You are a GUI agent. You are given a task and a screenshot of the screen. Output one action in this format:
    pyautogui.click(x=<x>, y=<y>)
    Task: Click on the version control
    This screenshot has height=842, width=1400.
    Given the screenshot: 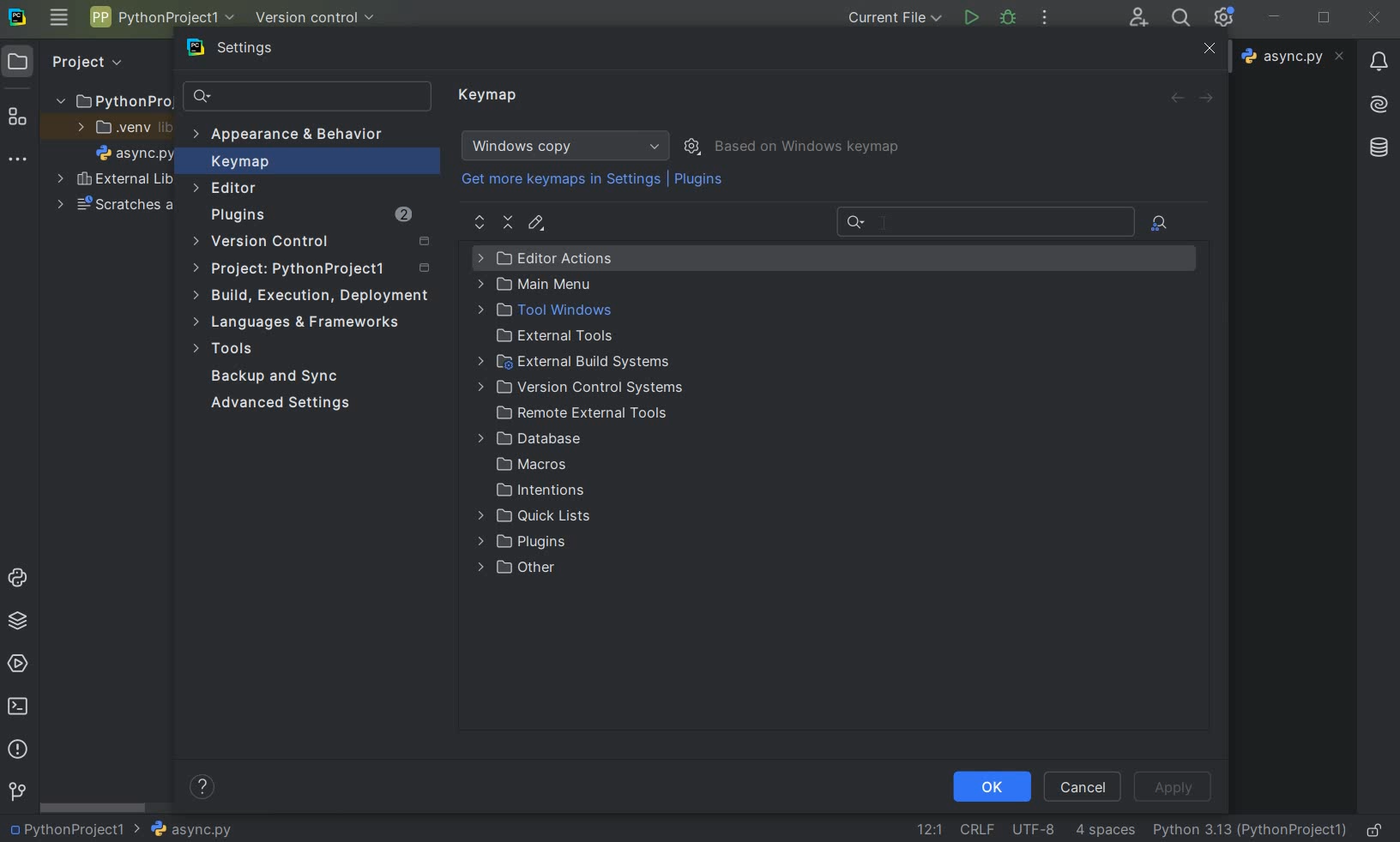 What is the action you would take?
    pyautogui.click(x=317, y=243)
    